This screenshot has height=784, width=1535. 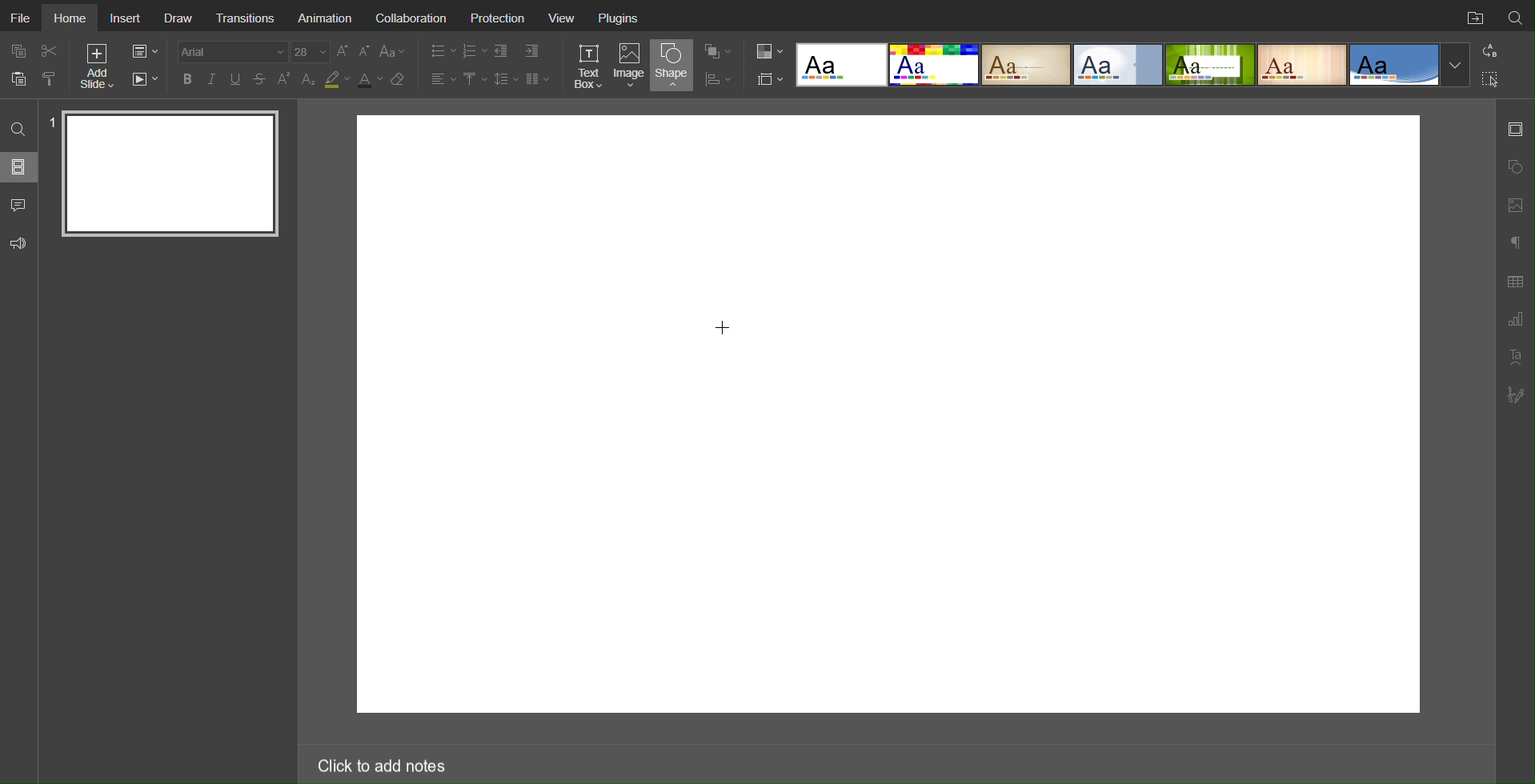 What do you see at coordinates (1517, 395) in the screenshot?
I see `Signature ` at bounding box center [1517, 395].